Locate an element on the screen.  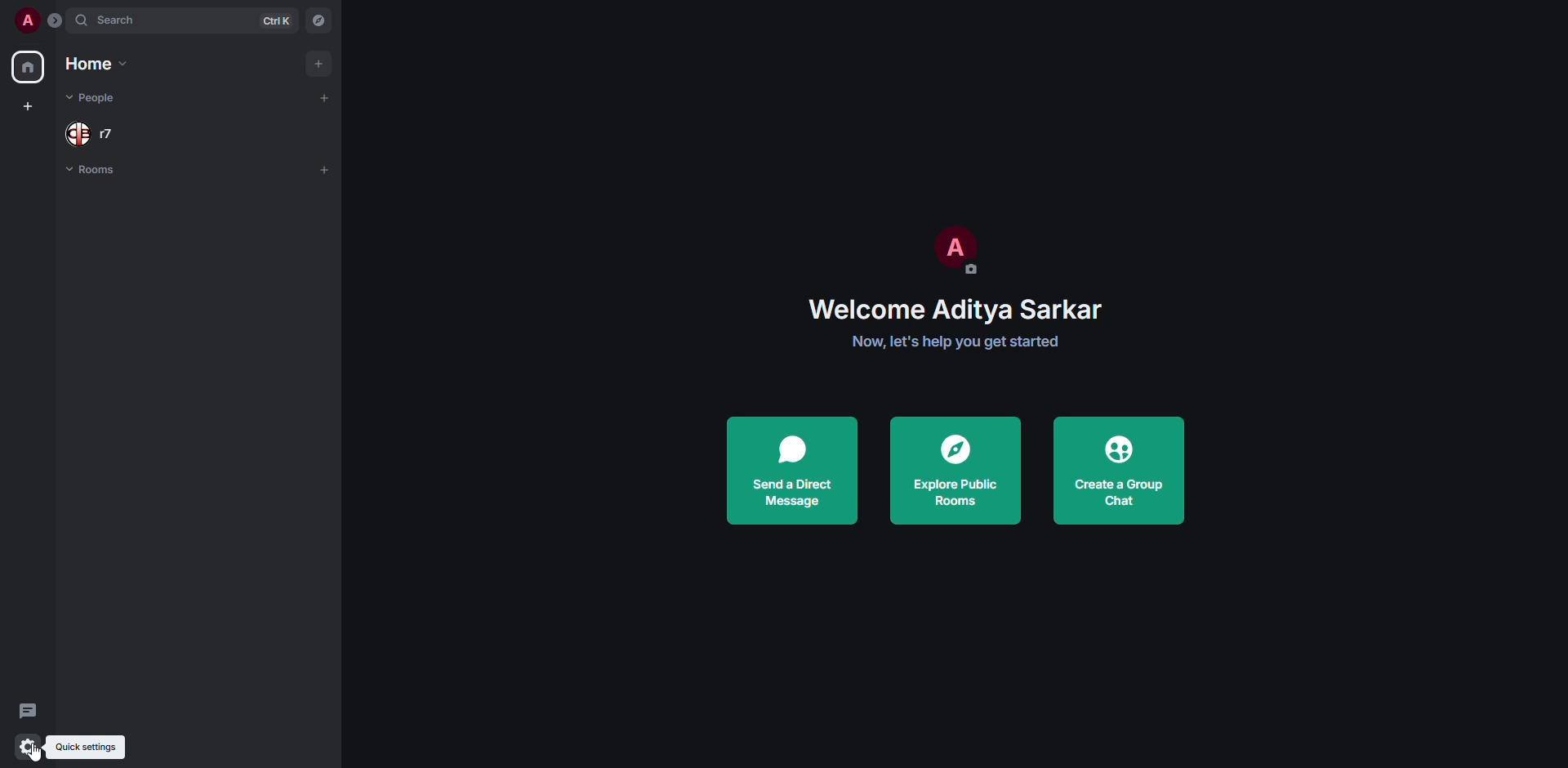
quick settings is located at coordinates (29, 745).